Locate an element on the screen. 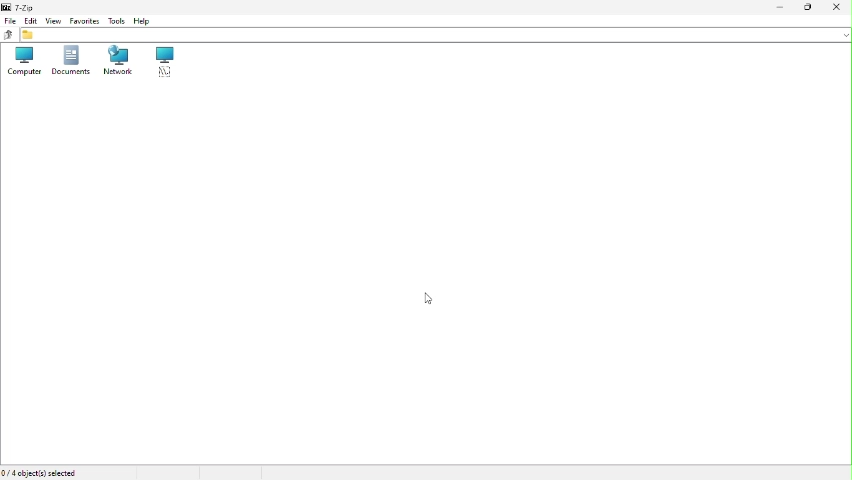  Documents is located at coordinates (69, 61).